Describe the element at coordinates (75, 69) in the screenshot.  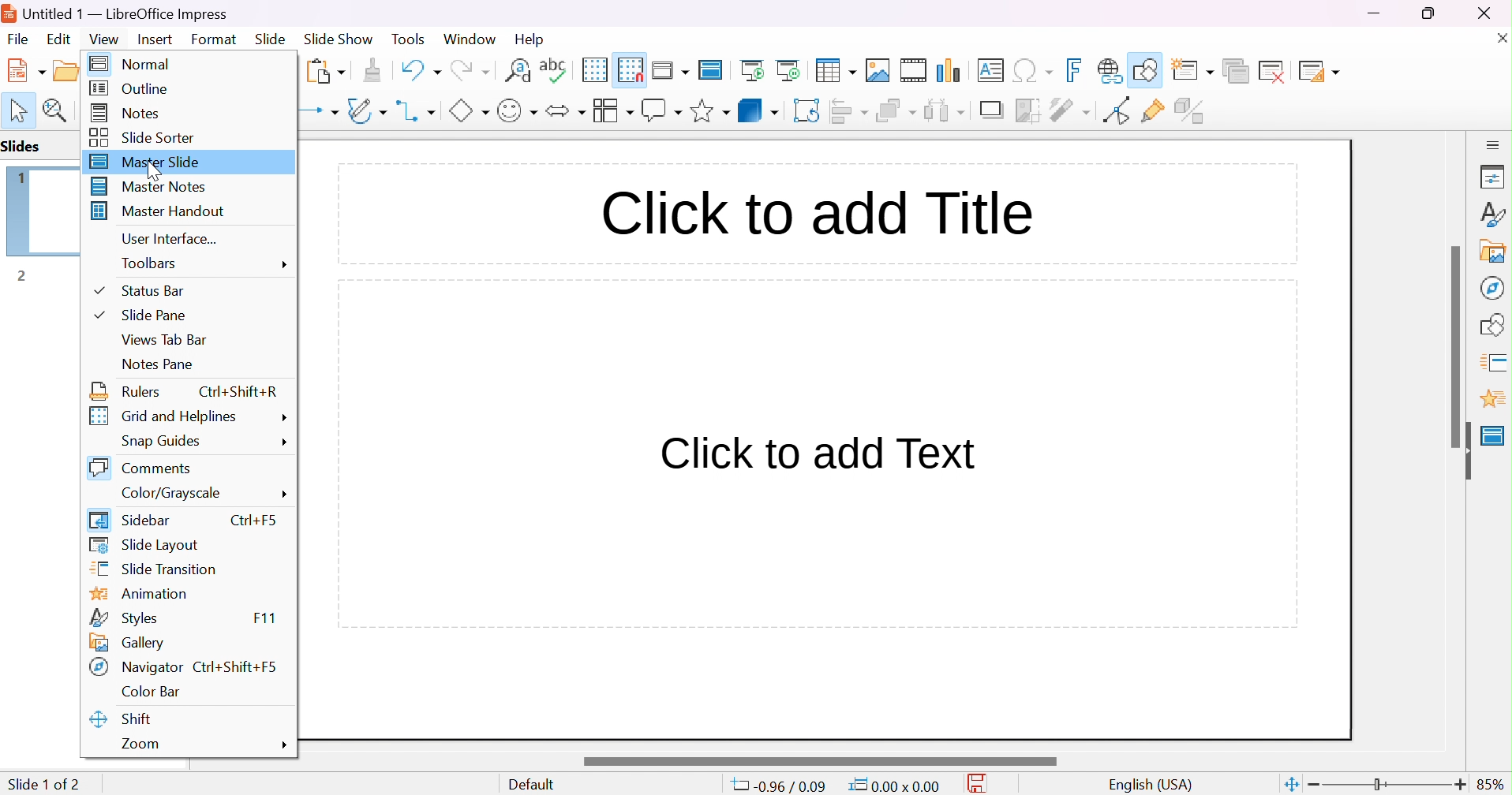
I see `open` at that location.